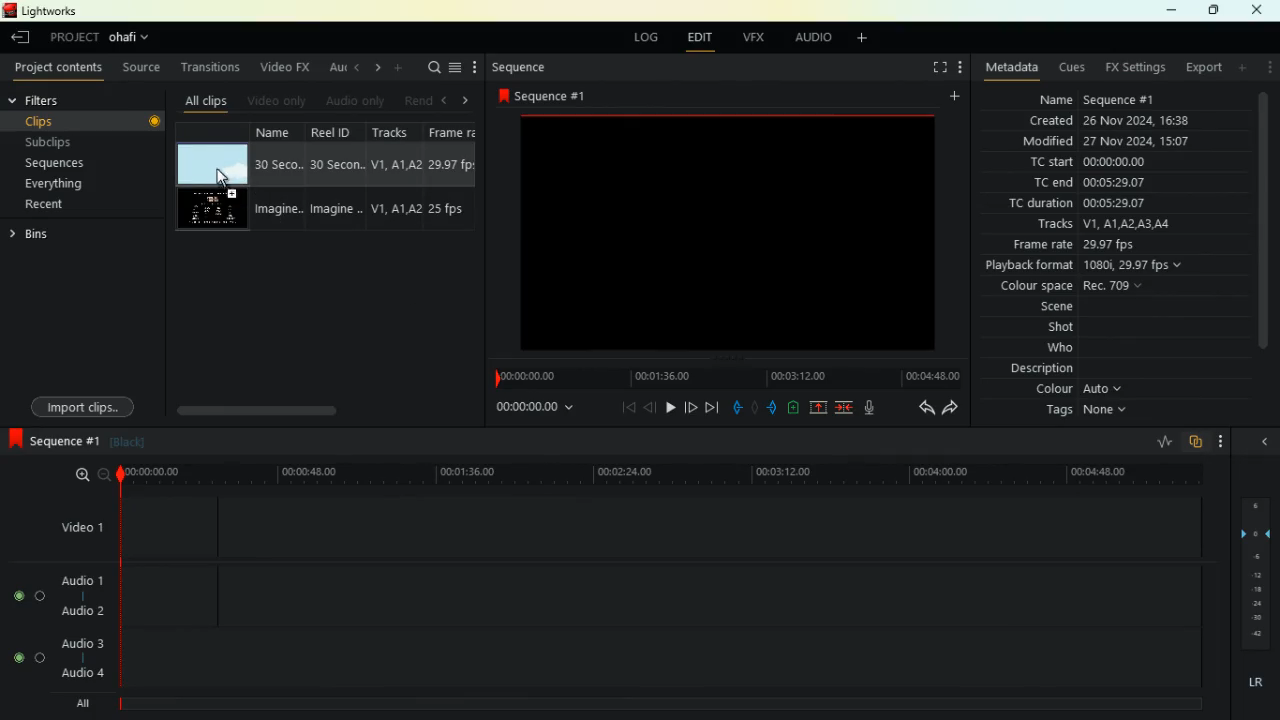 Image resolution: width=1280 pixels, height=720 pixels. What do you see at coordinates (654, 701) in the screenshot?
I see `timeline` at bounding box center [654, 701].